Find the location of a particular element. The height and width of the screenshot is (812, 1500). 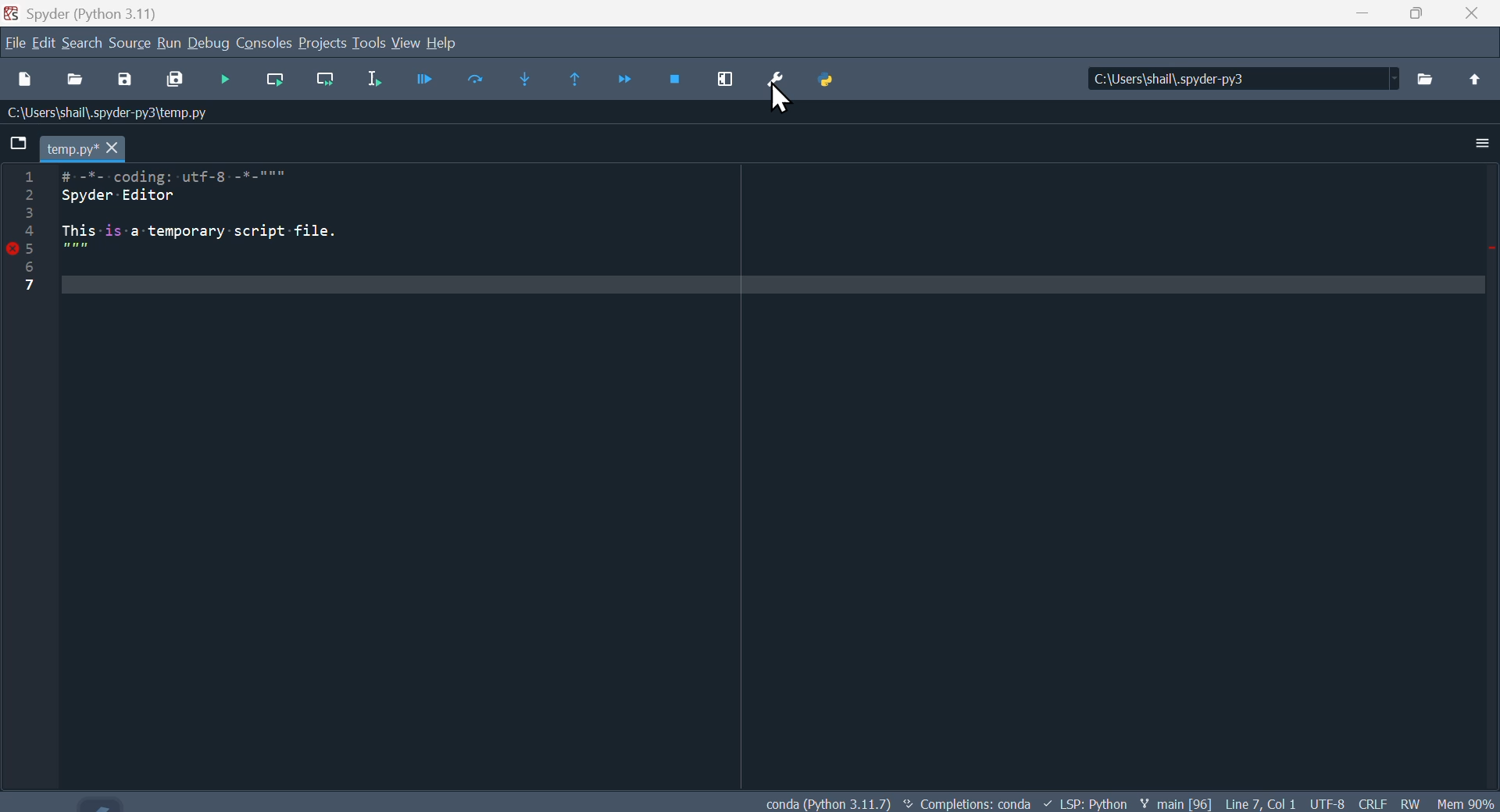

files is located at coordinates (1428, 76).